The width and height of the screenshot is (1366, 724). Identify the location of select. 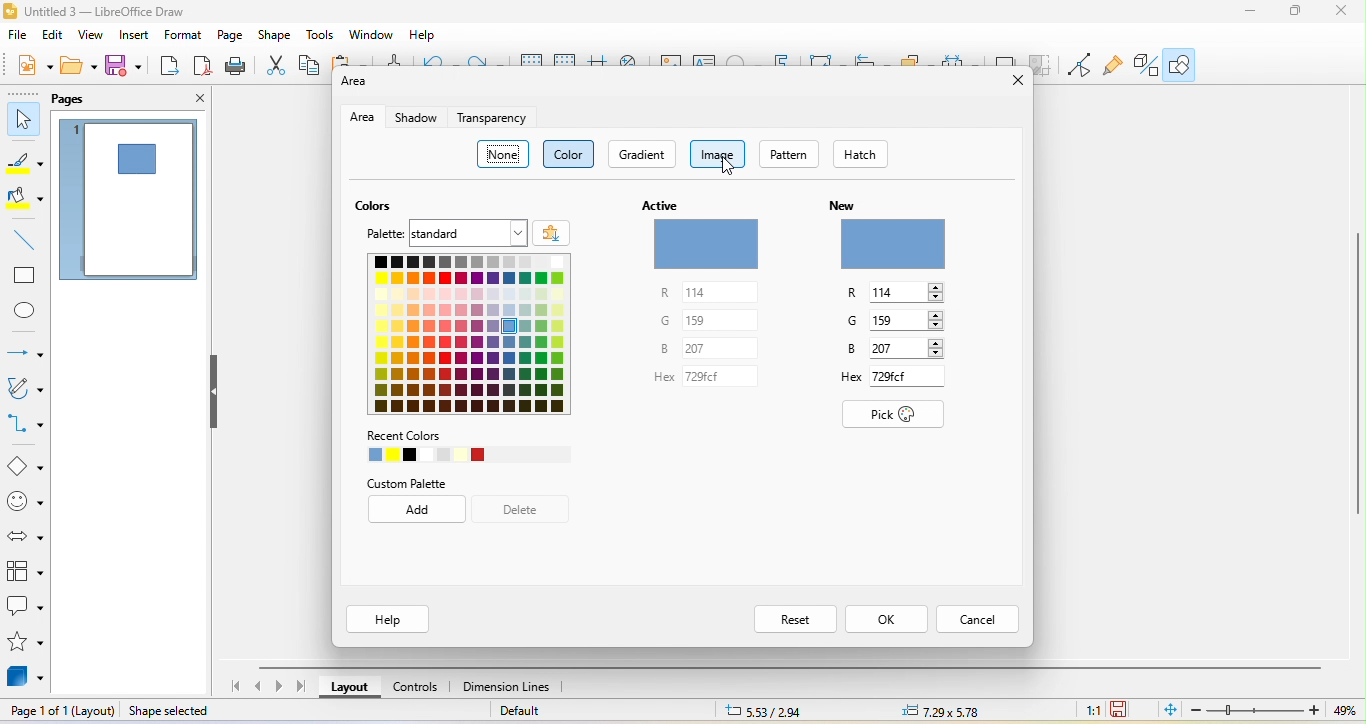
(22, 121).